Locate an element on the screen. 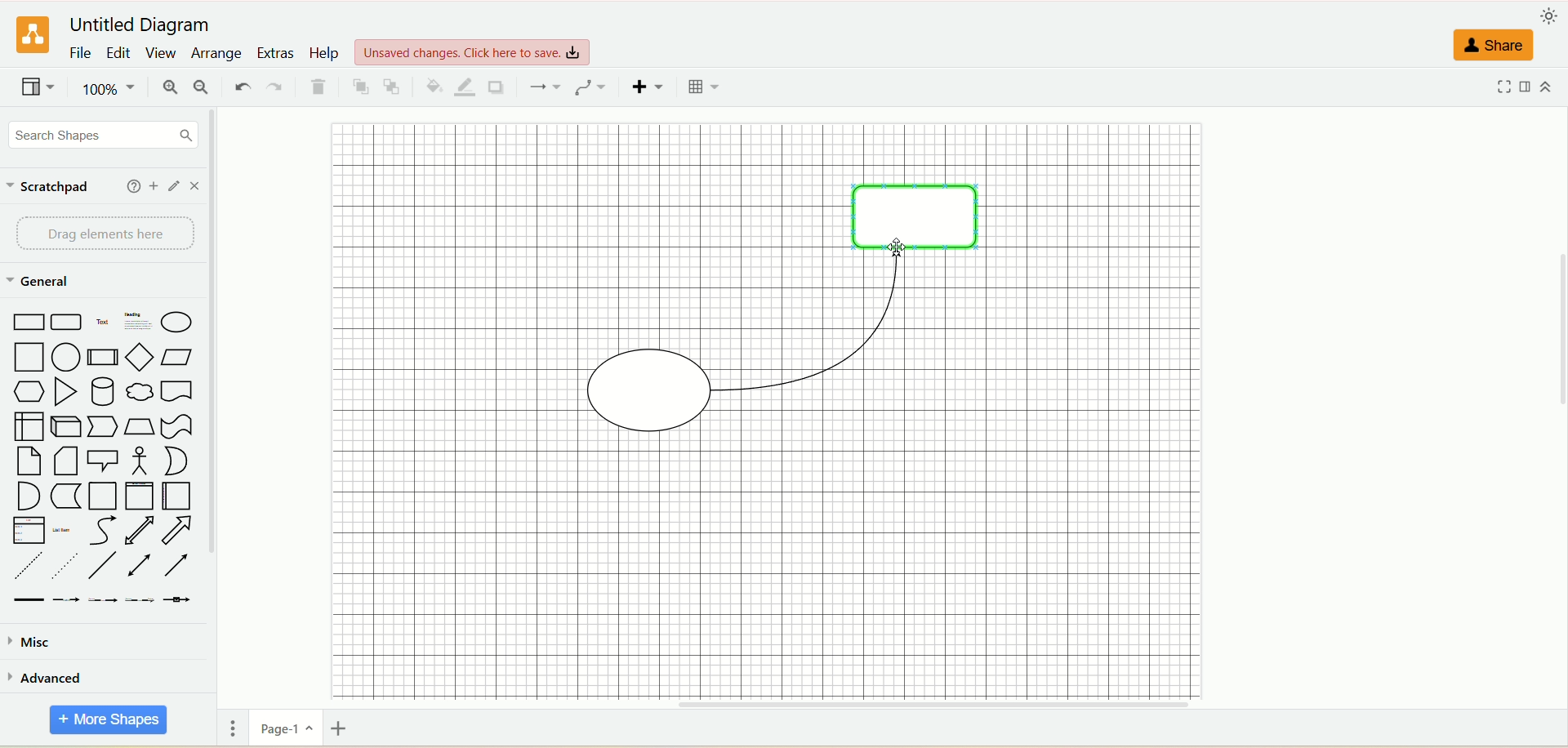 The height and width of the screenshot is (748, 1568). to front is located at coordinates (356, 87).